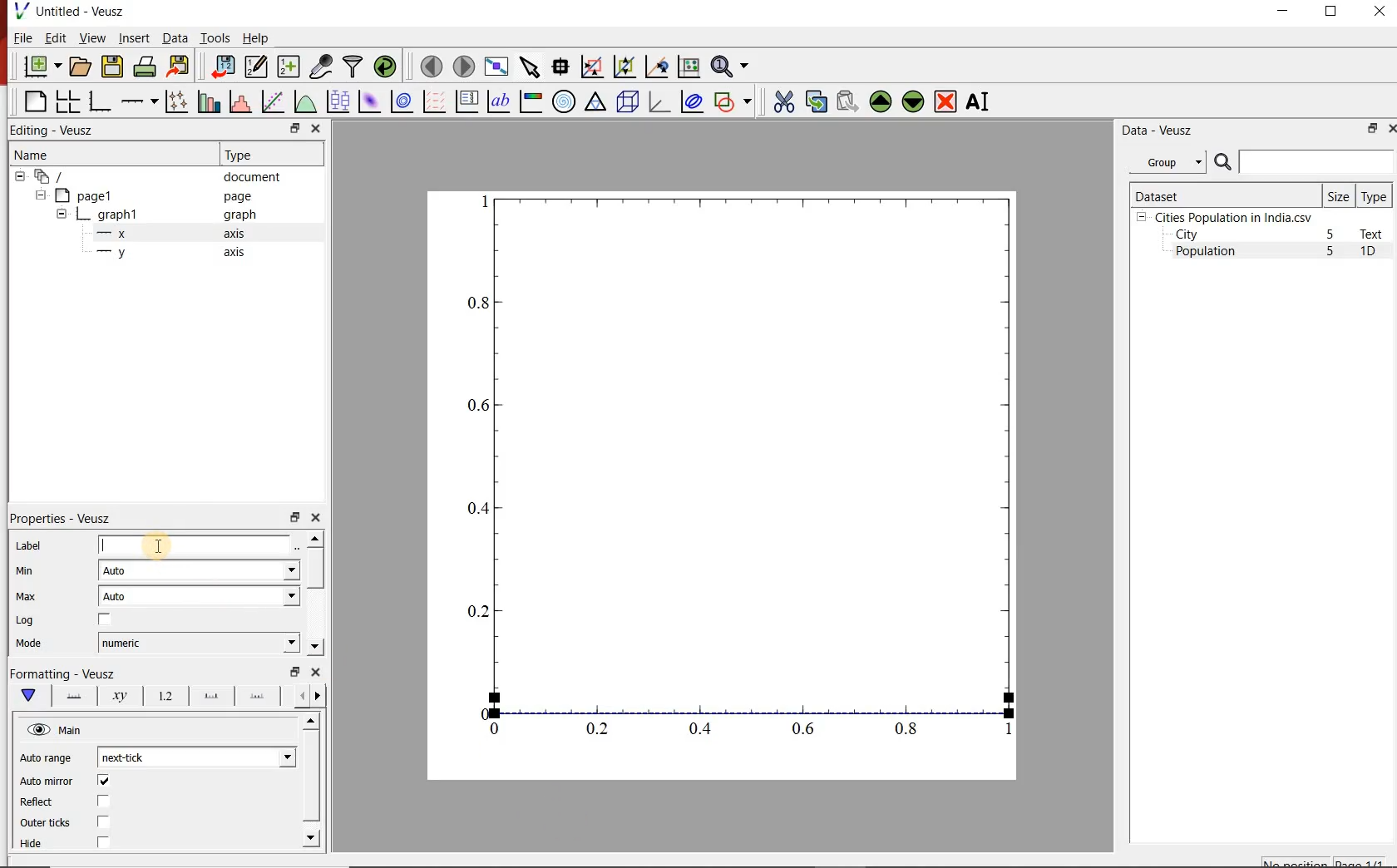 This screenshot has width=1397, height=868. Describe the element at coordinates (56, 730) in the screenshot. I see `Main` at that location.